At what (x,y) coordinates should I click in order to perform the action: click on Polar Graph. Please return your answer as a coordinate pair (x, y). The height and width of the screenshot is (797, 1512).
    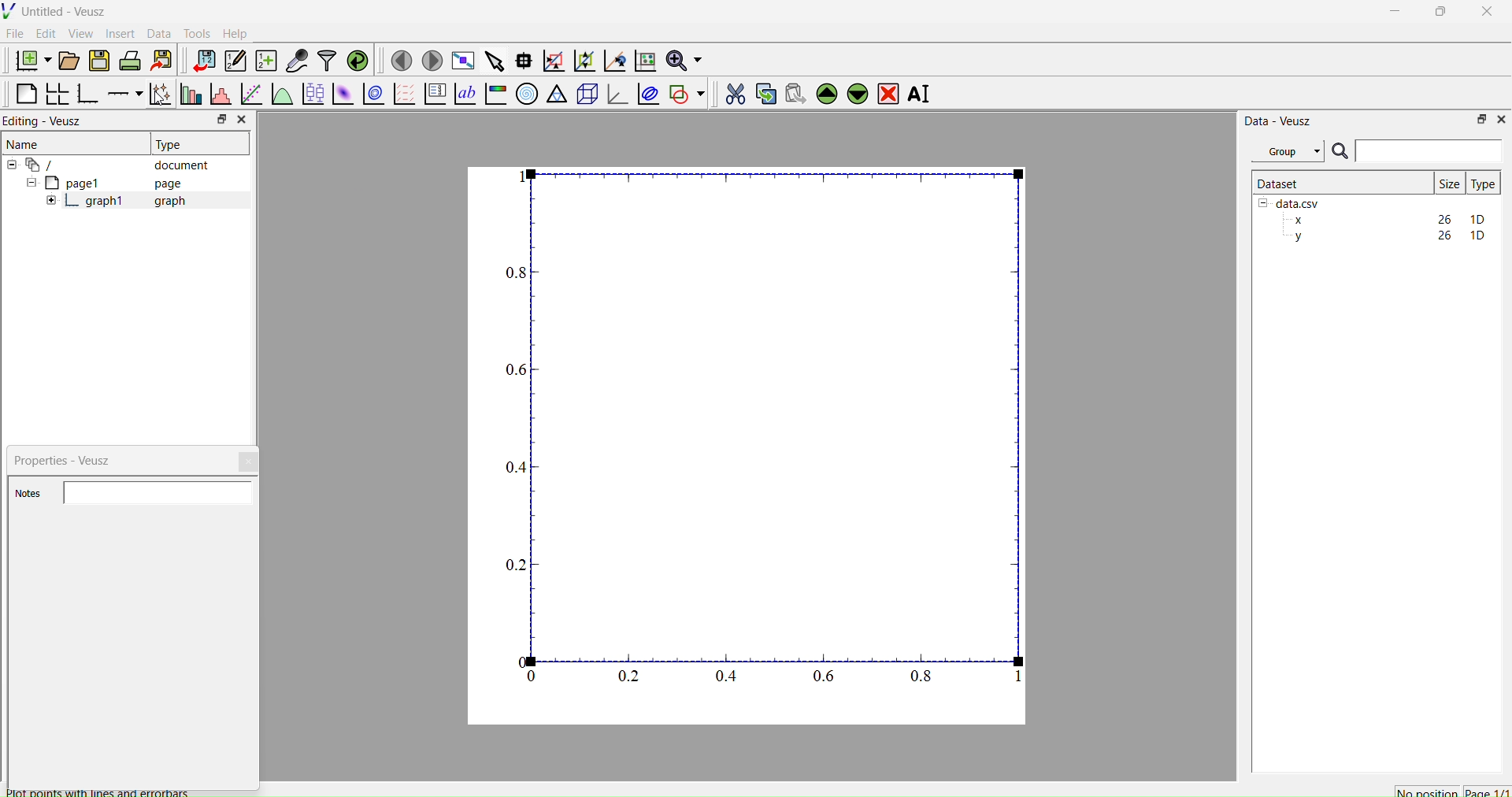
    Looking at the image, I should click on (527, 94).